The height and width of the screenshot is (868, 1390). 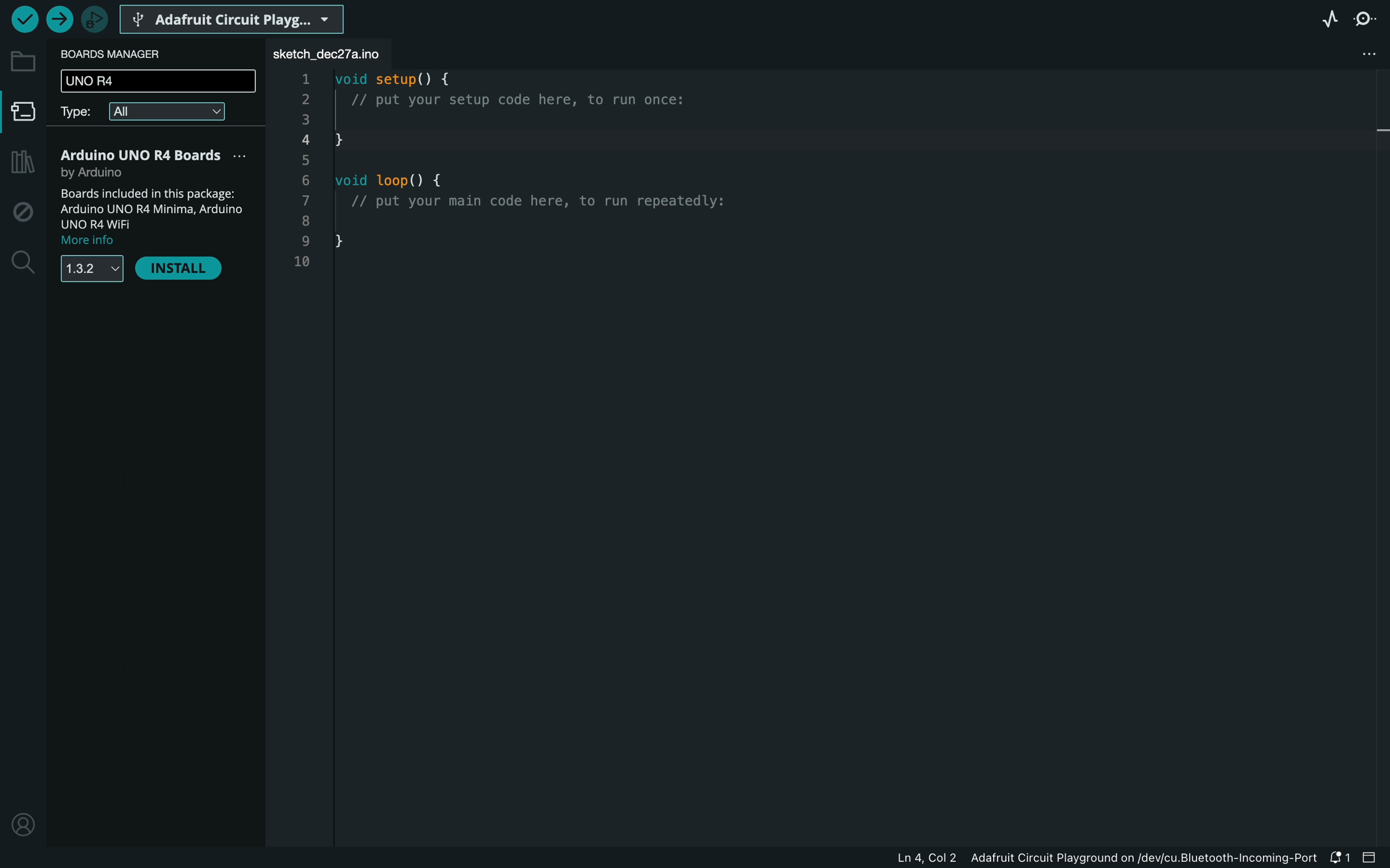 What do you see at coordinates (235, 17) in the screenshot?
I see `board selecter` at bounding box center [235, 17].